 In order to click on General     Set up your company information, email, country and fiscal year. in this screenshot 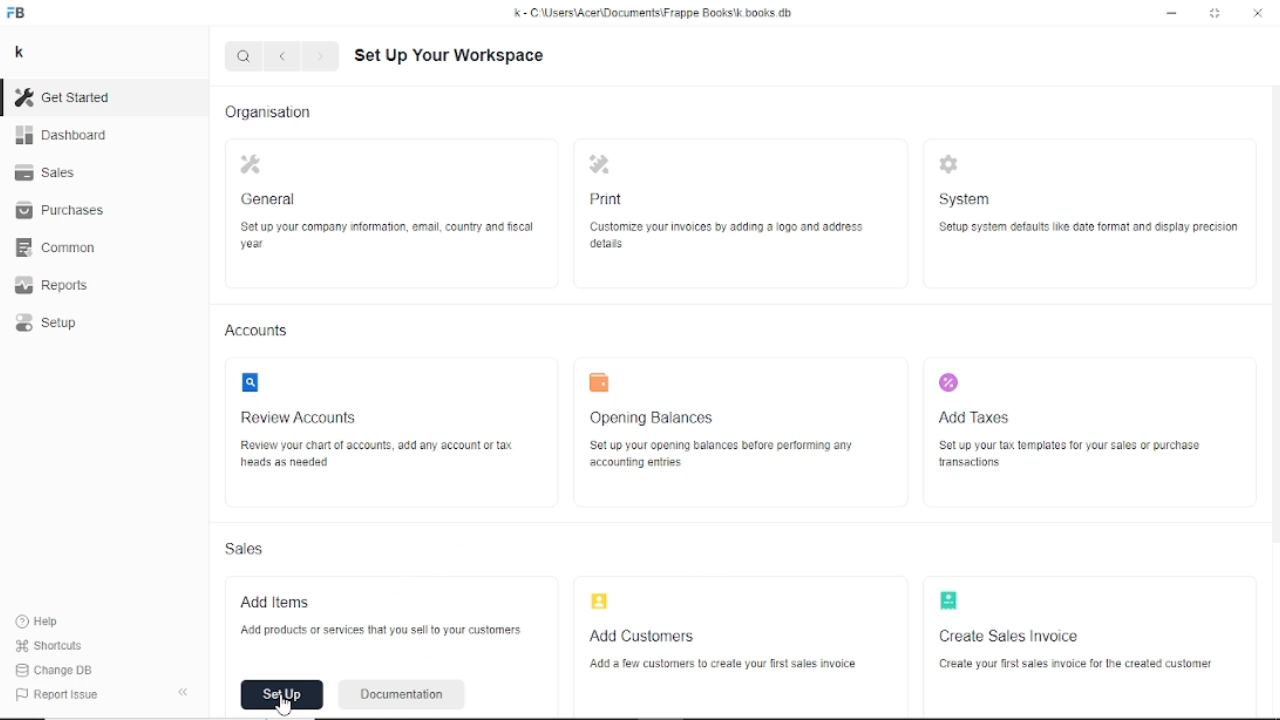, I will do `click(386, 203)`.